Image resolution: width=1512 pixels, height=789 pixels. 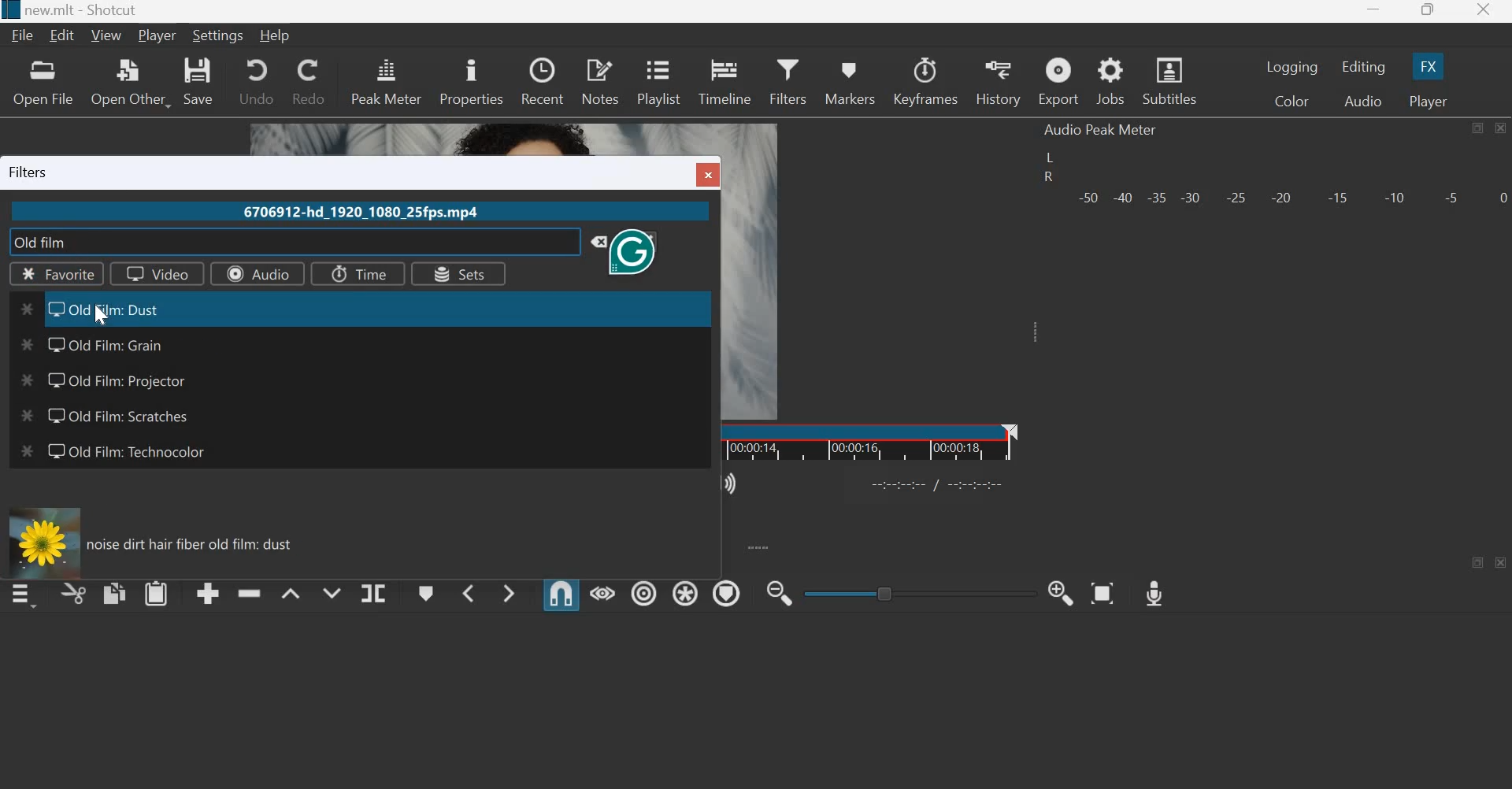 What do you see at coordinates (34, 172) in the screenshot?
I see `Filters` at bounding box center [34, 172].